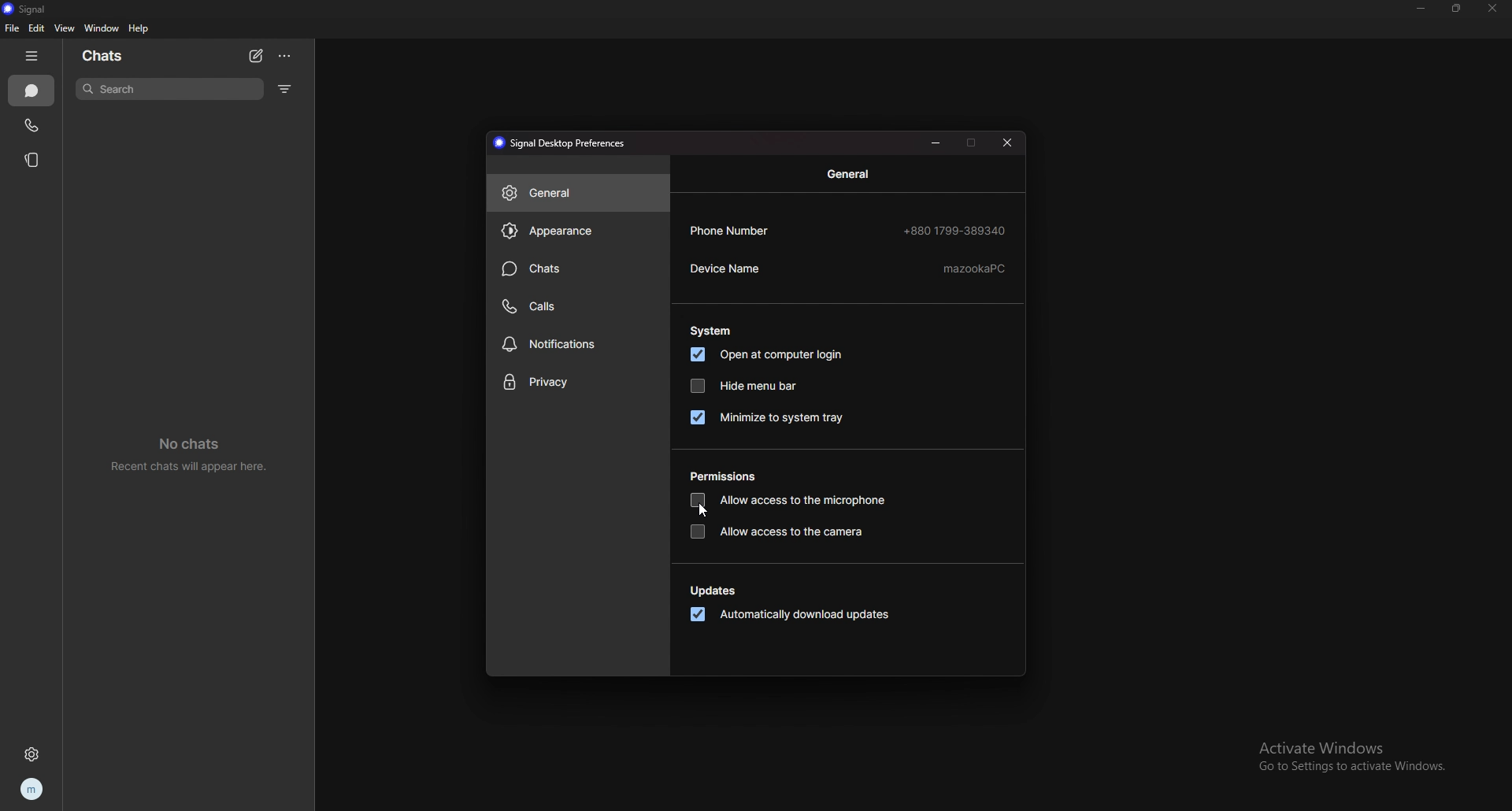 This screenshot has height=811, width=1512. Describe the element at coordinates (35, 160) in the screenshot. I see `stories` at that location.